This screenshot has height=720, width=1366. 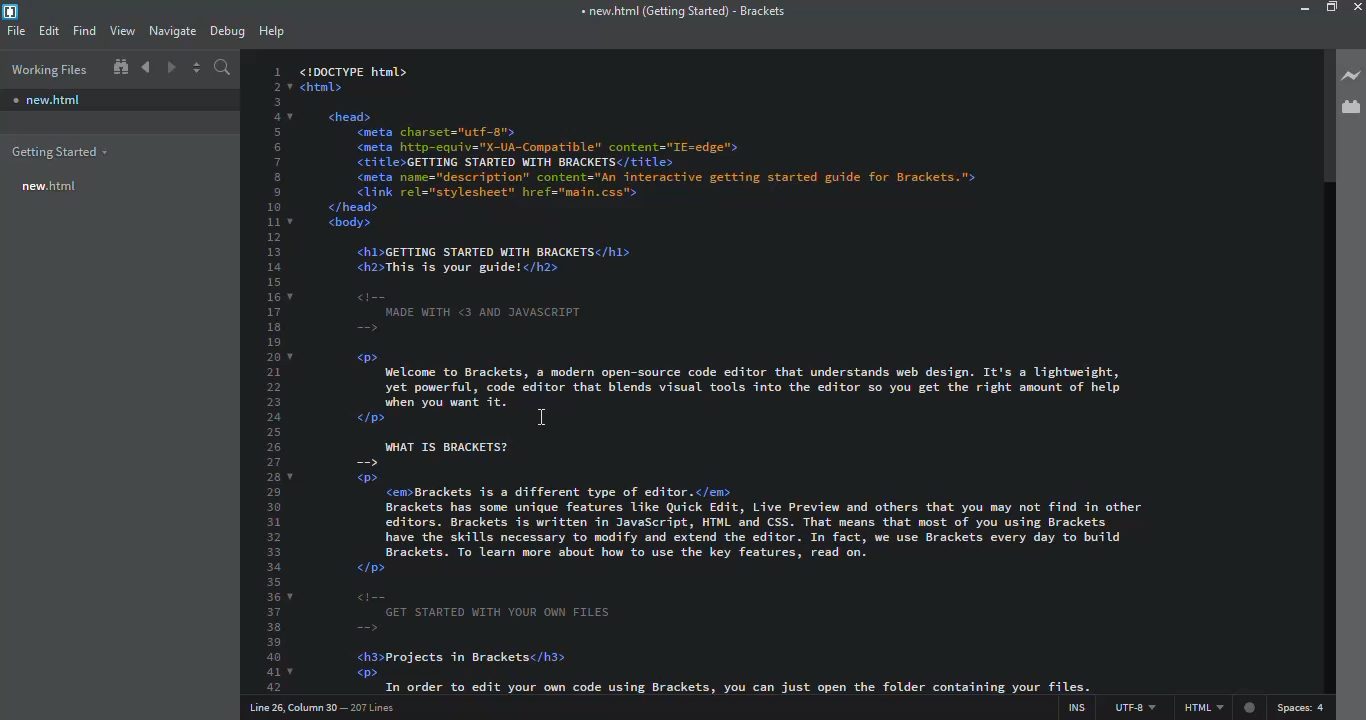 I want to click on minimize, so click(x=1306, y=9).